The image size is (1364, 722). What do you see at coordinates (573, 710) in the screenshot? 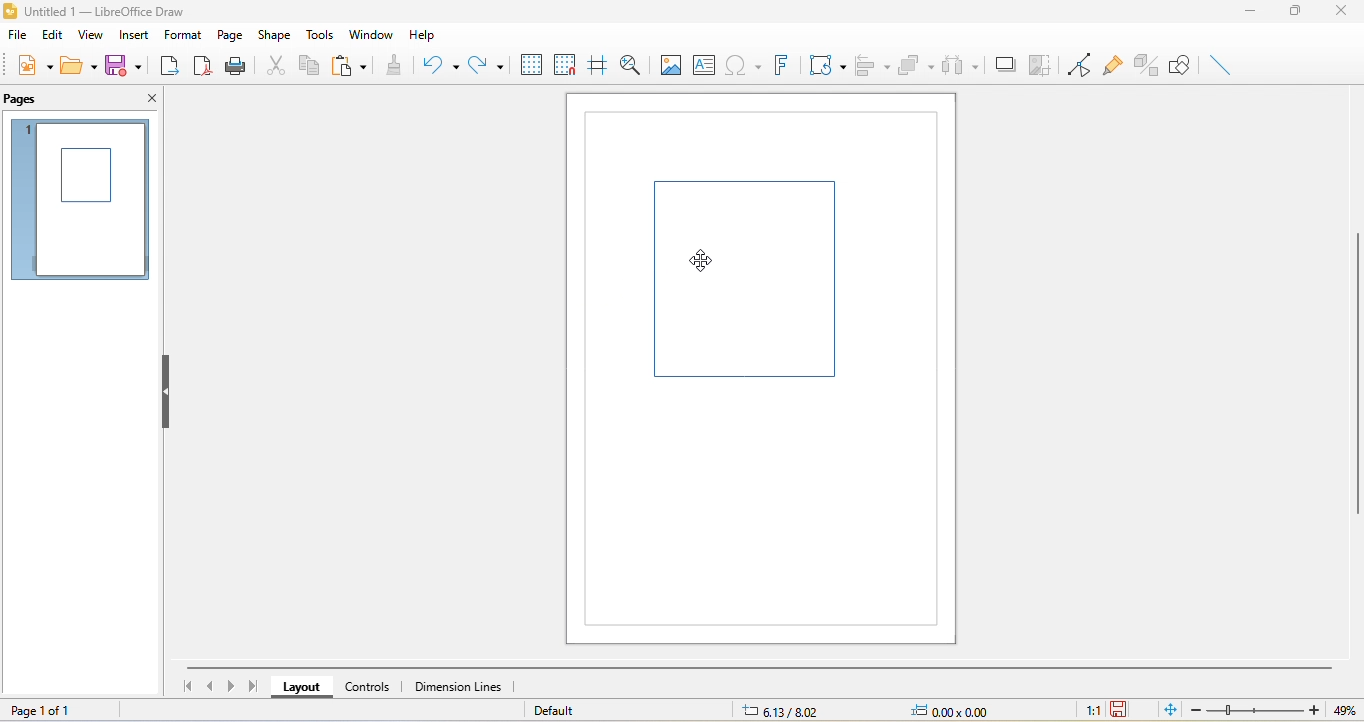
I see `default` at bounding box center [573, 710].